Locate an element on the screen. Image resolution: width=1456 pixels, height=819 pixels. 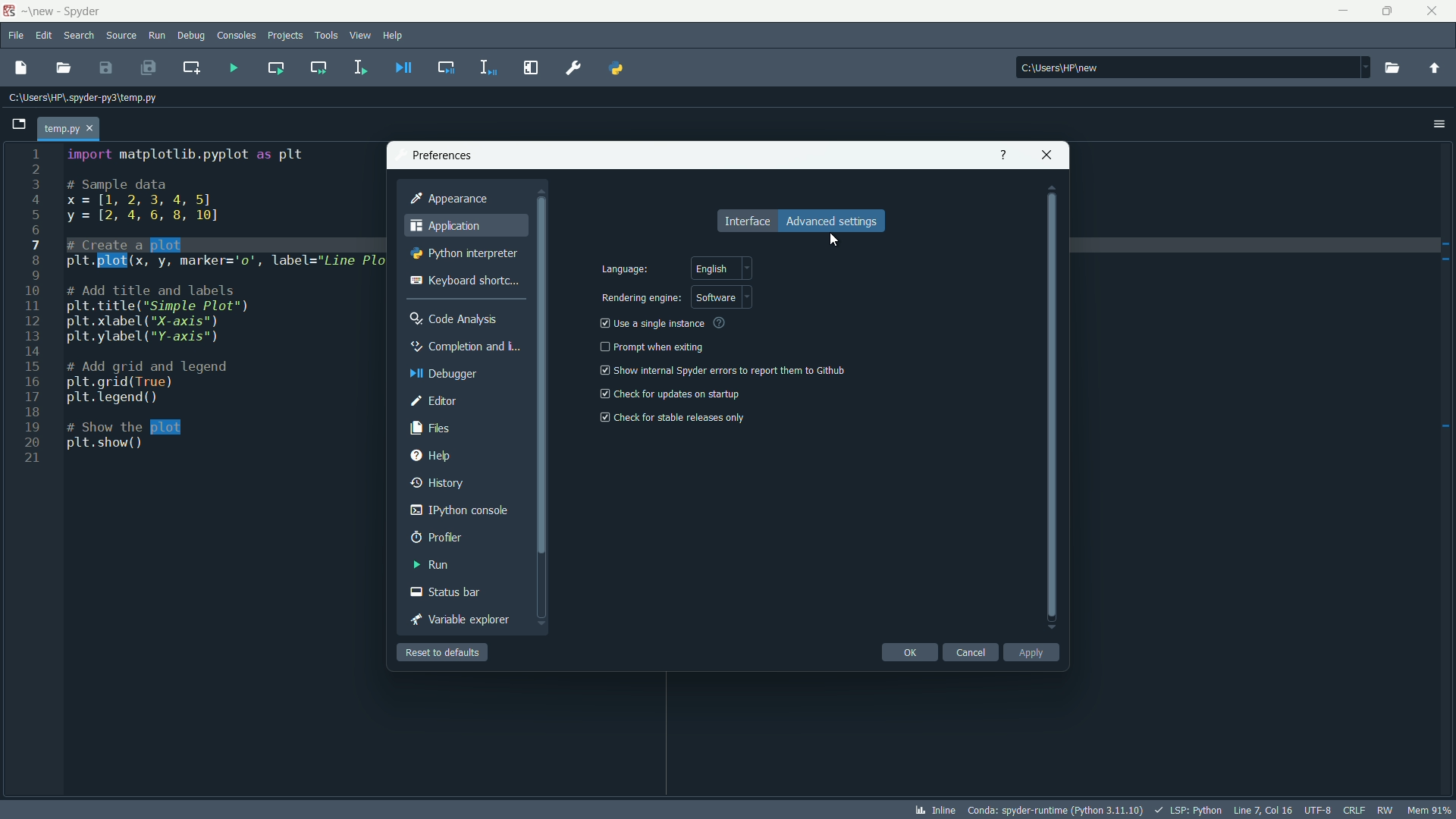
prompt when exiting is located at coordinates (660, 347).